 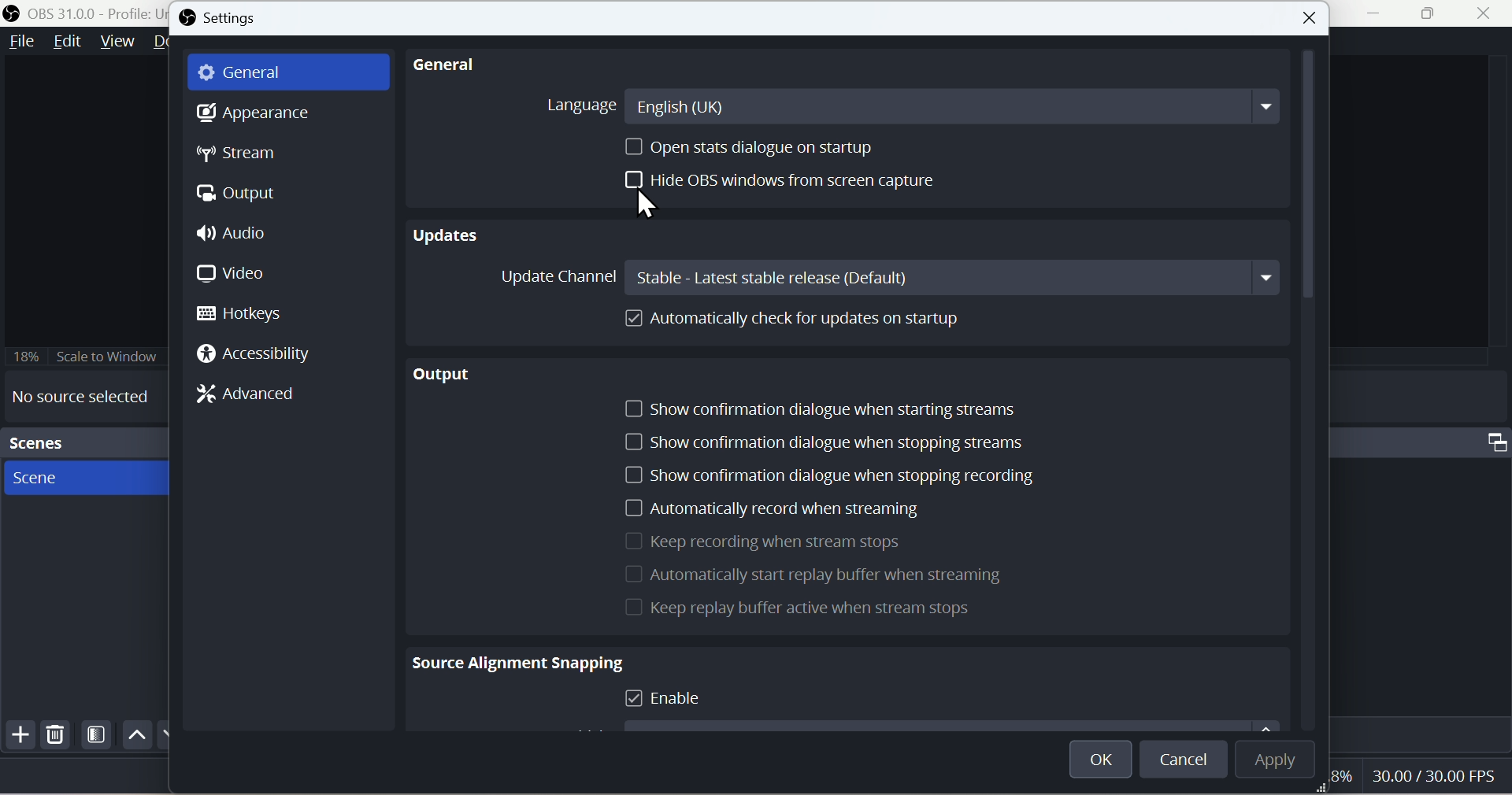 What do you see at coordinates (669, 700) in the screenshot?
I see `Enable` at bounding box center [669, 700].